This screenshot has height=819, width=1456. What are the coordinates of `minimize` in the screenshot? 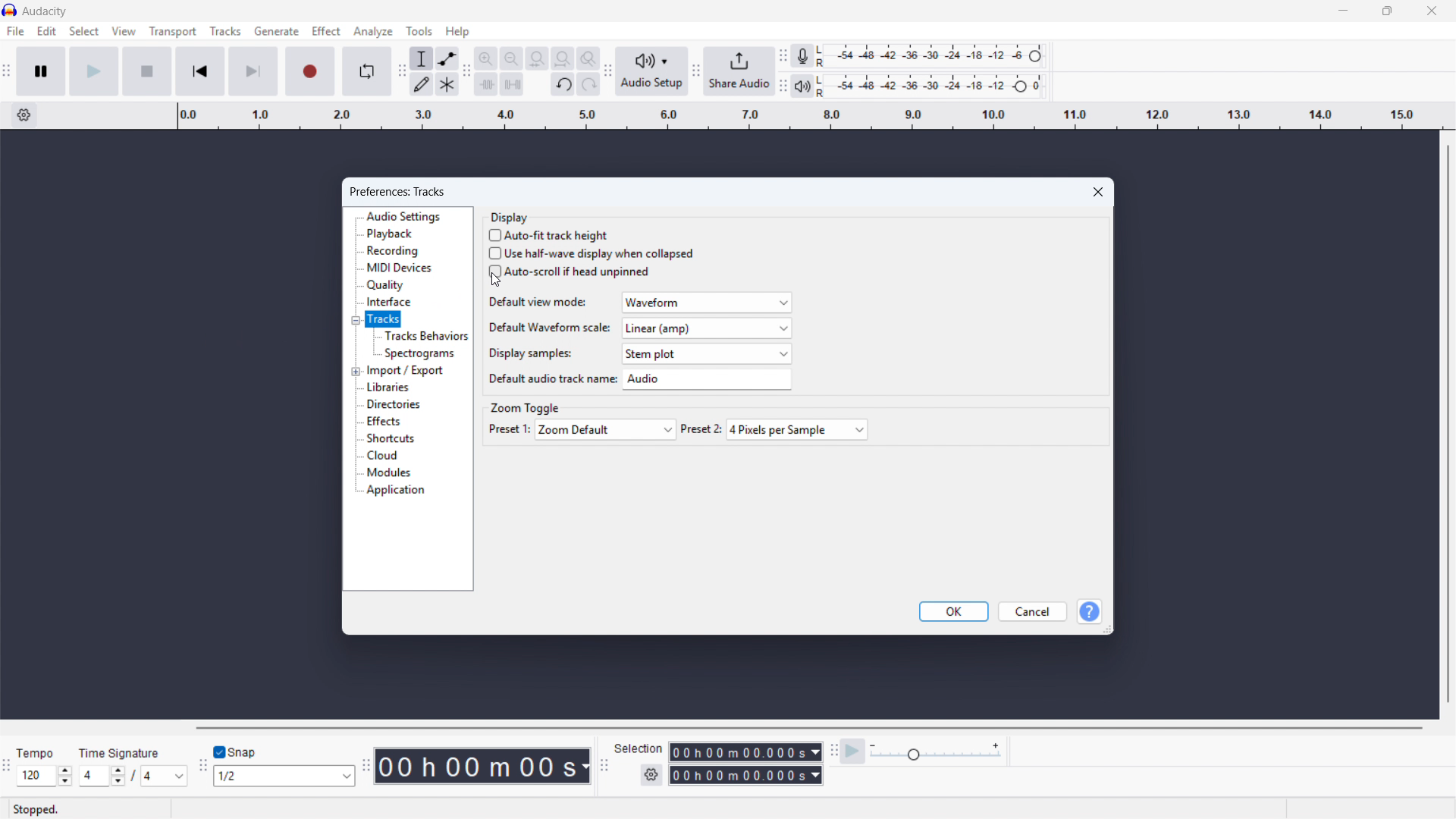 It's located at (1342, 11).